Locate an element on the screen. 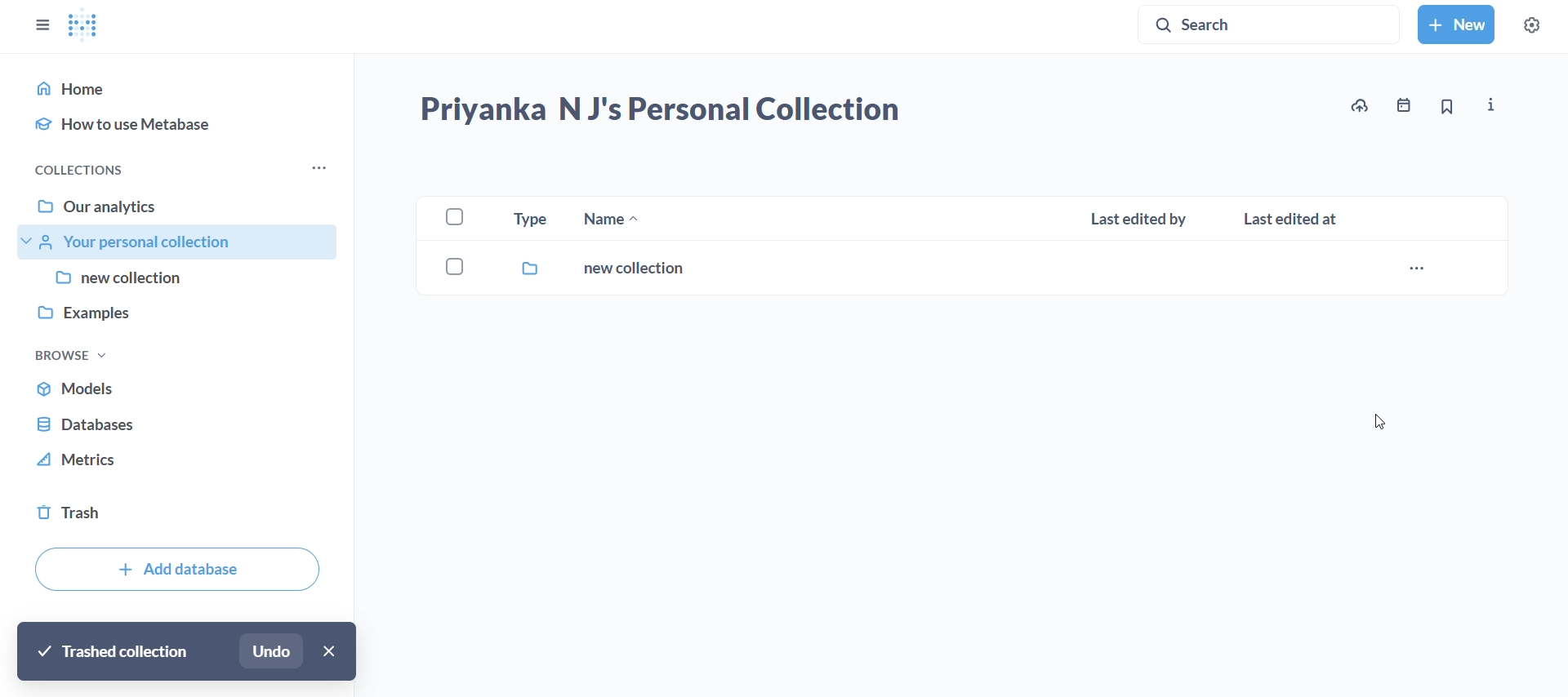 This screenshot has height=697, width=1568. close sidebars is located at coordinates (41, 26).